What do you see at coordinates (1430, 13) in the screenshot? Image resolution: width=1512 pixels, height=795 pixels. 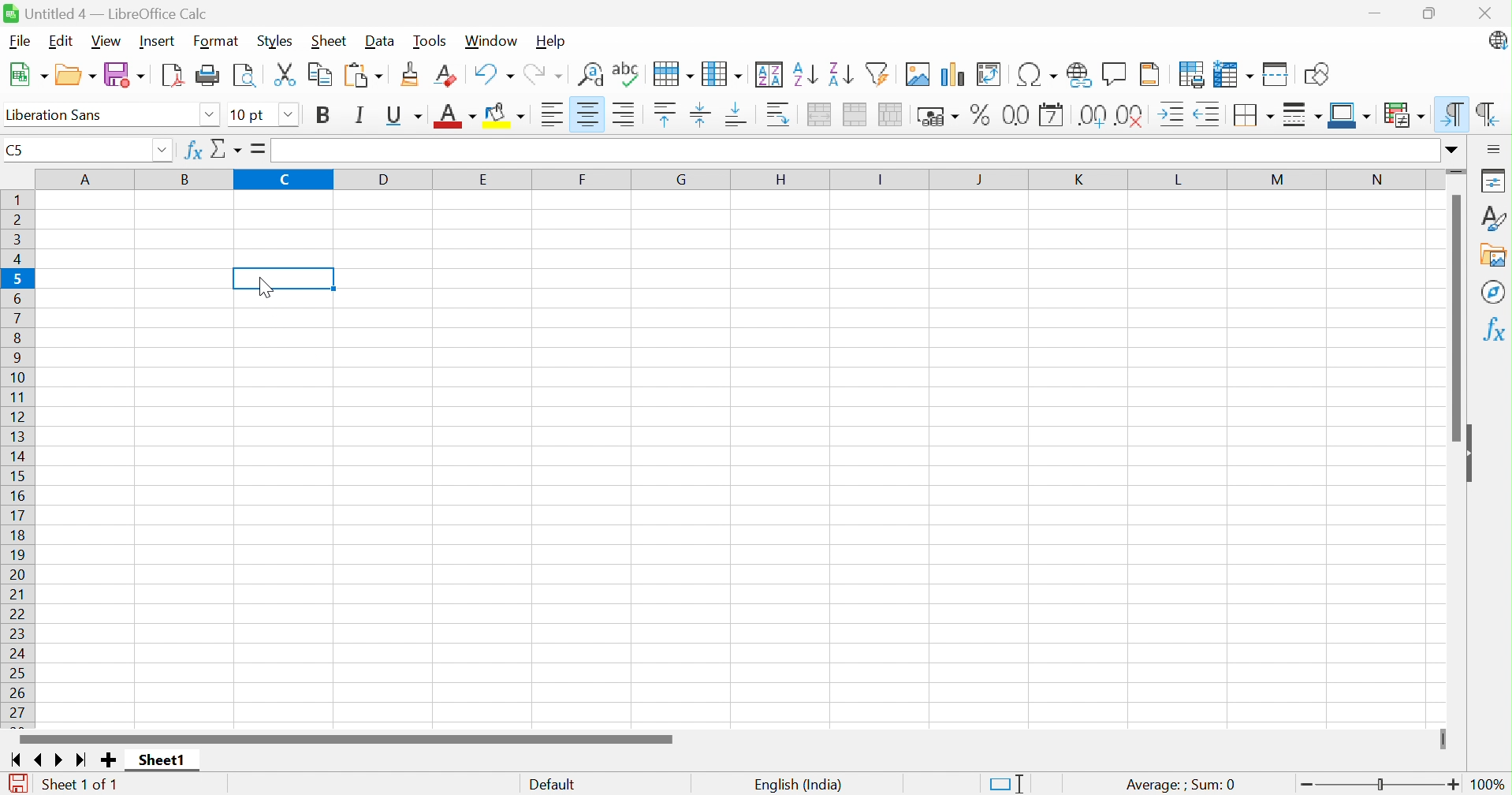 I see `Restore Down` at bounding box center [1430, 13].